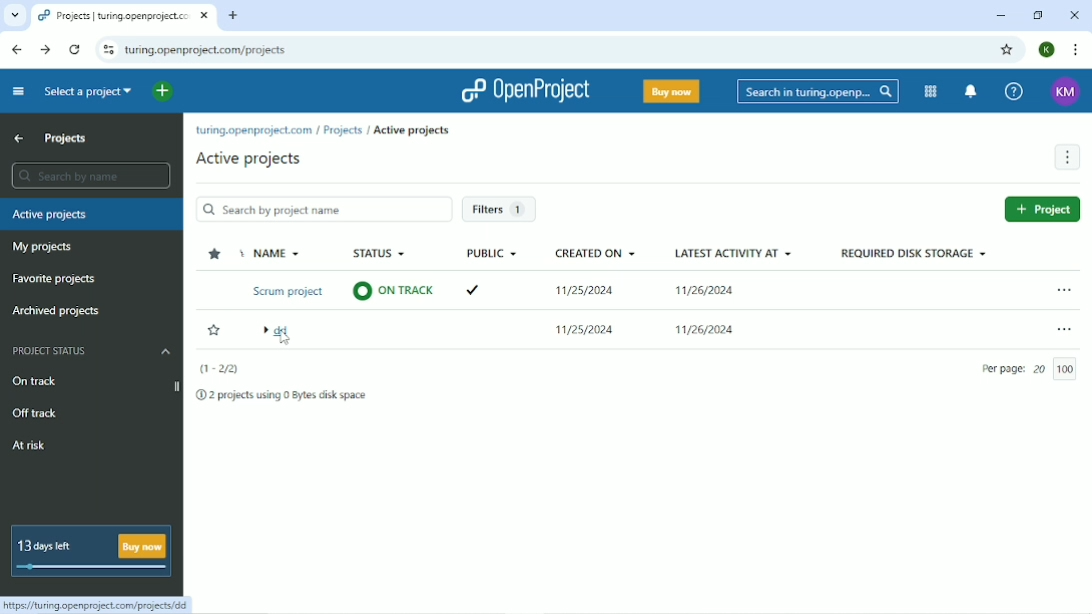 This screenshot has height=614, width=1092. I want to click on Open menu, so click(1064, 290).